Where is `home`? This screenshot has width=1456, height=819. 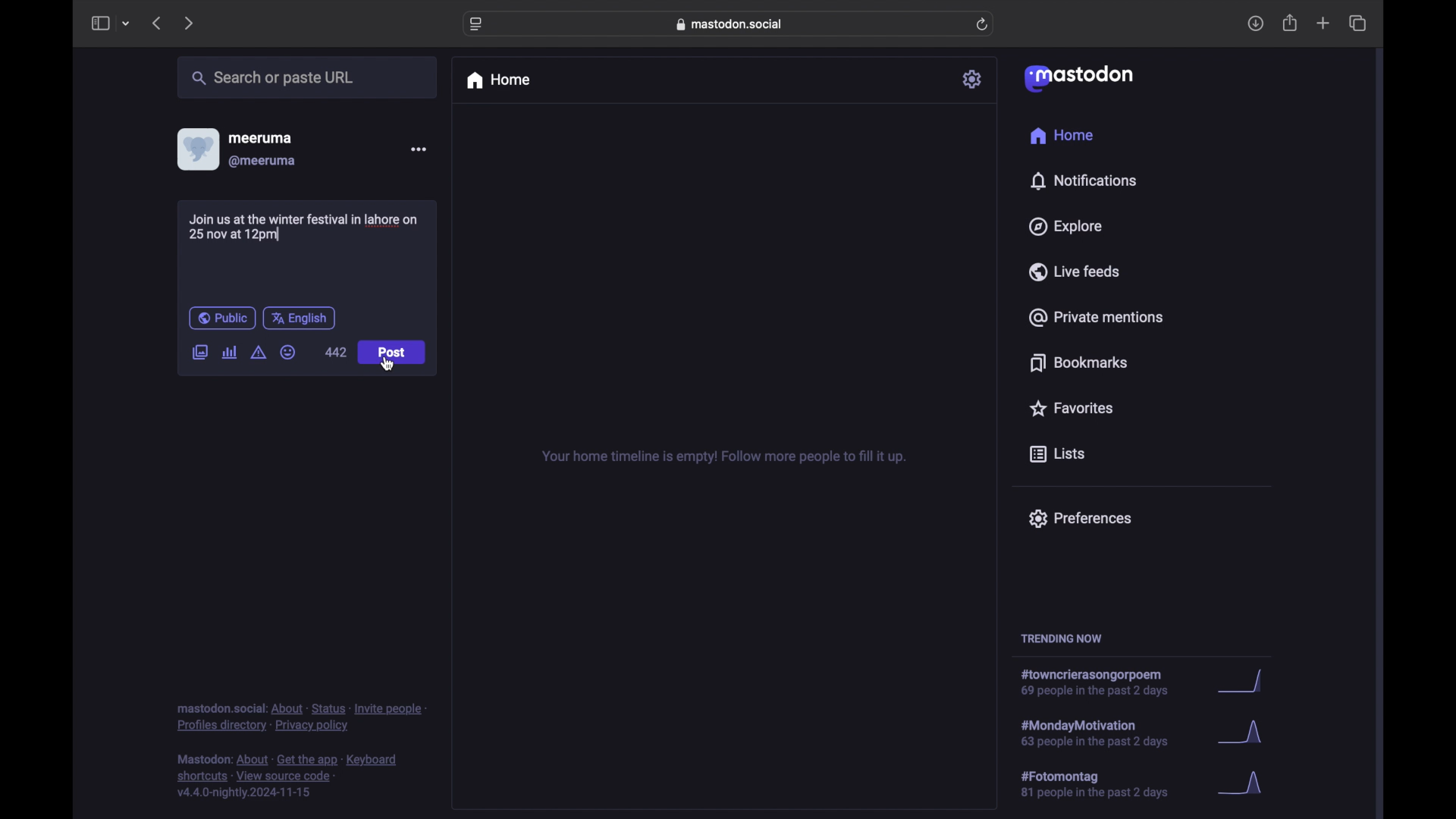
home is located at coordinates (497, 80).